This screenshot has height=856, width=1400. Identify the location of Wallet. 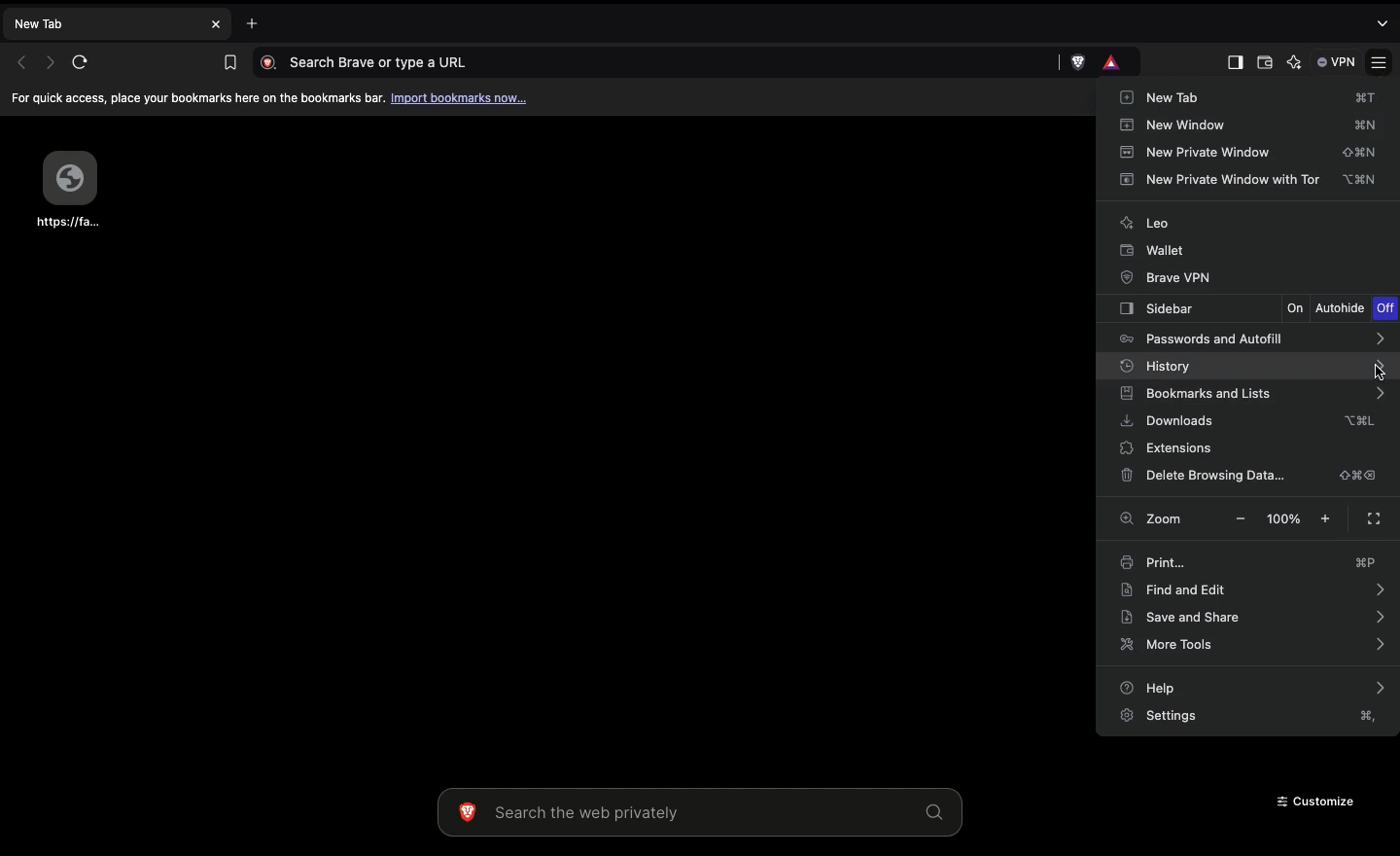
(1263, 64).